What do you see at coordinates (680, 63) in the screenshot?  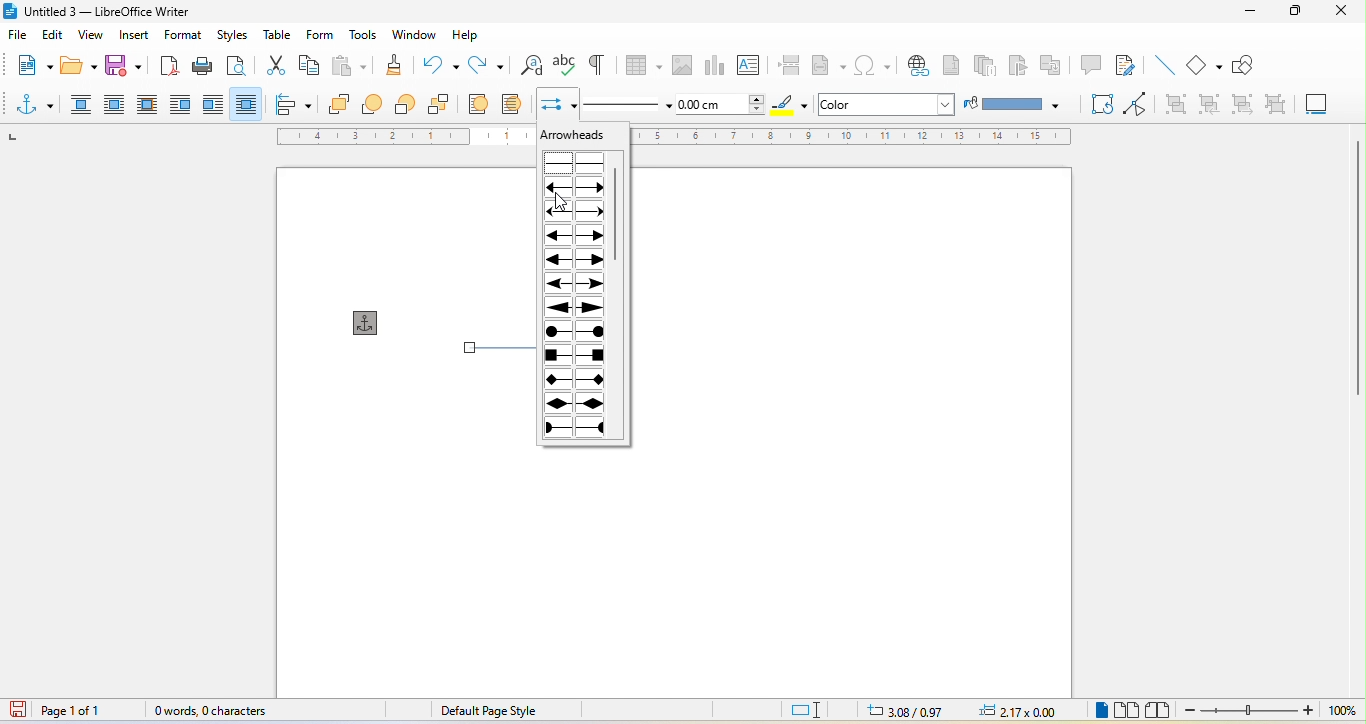 I see `image` at bounding box center [680, 63].